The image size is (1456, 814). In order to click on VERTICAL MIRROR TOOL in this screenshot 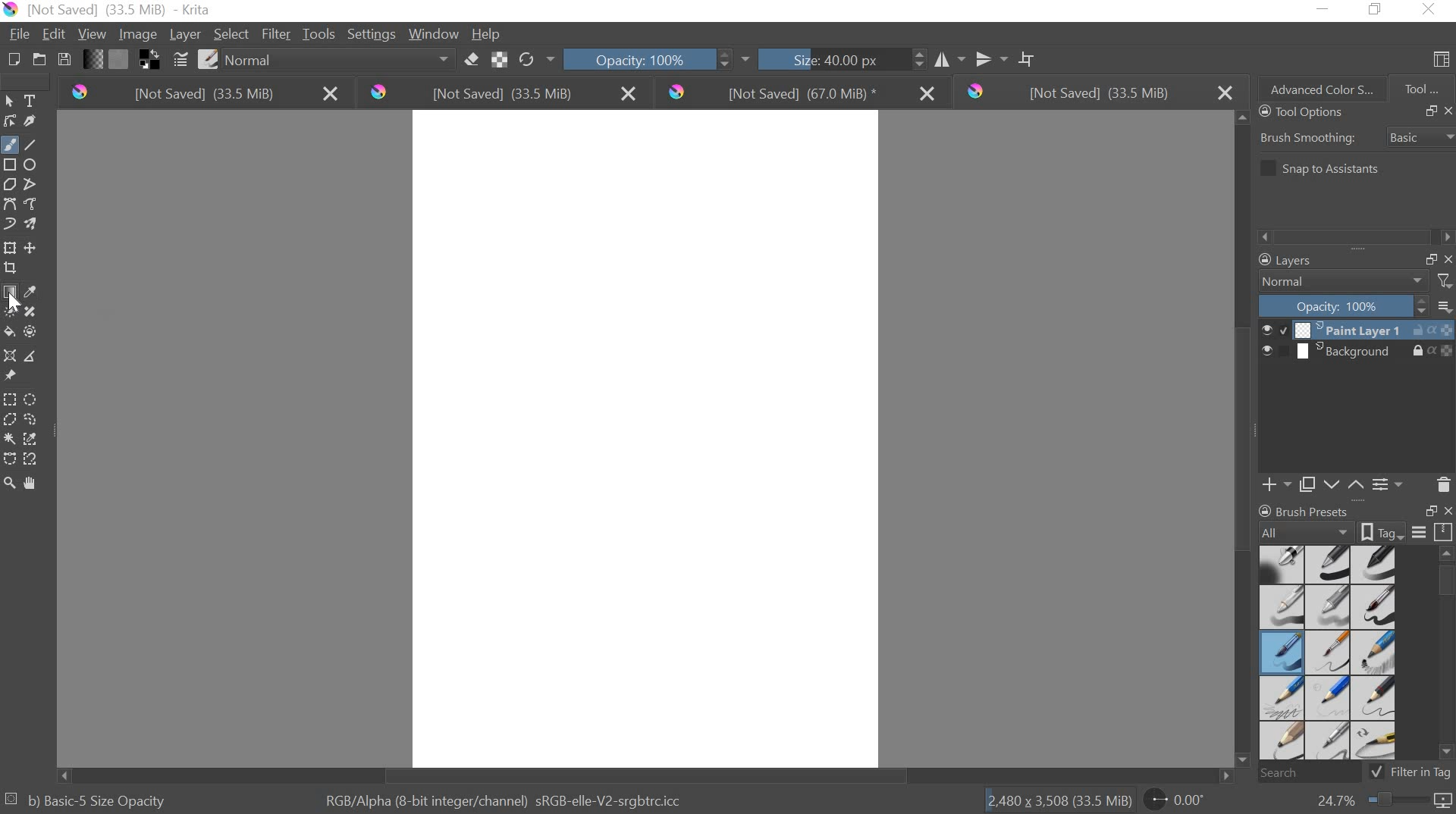, I will do `click(981, 56)`.